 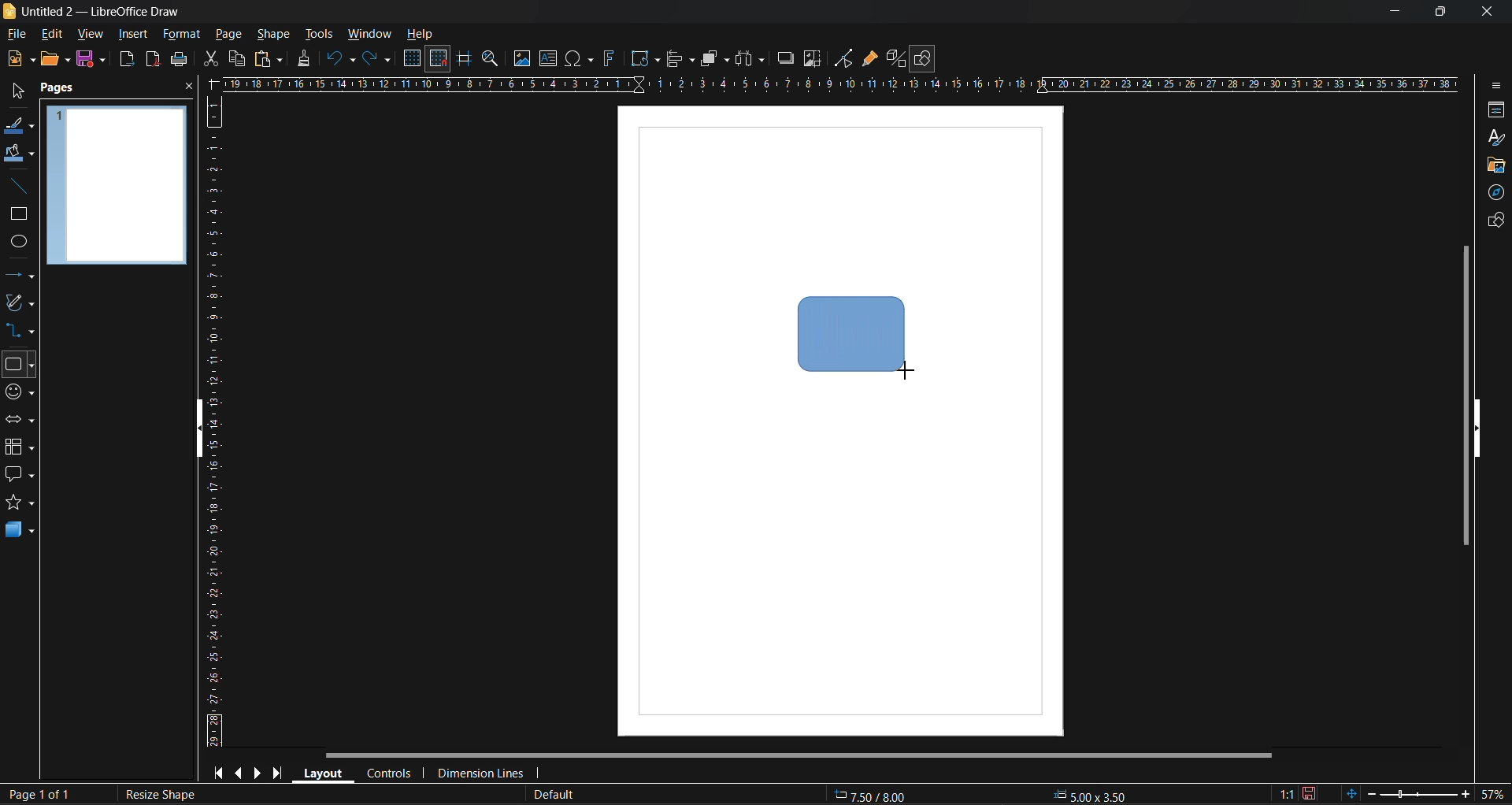 What do you see at coordinates (128, 61) in the screenshot?
I see `export` at bounding box center [128, 61].